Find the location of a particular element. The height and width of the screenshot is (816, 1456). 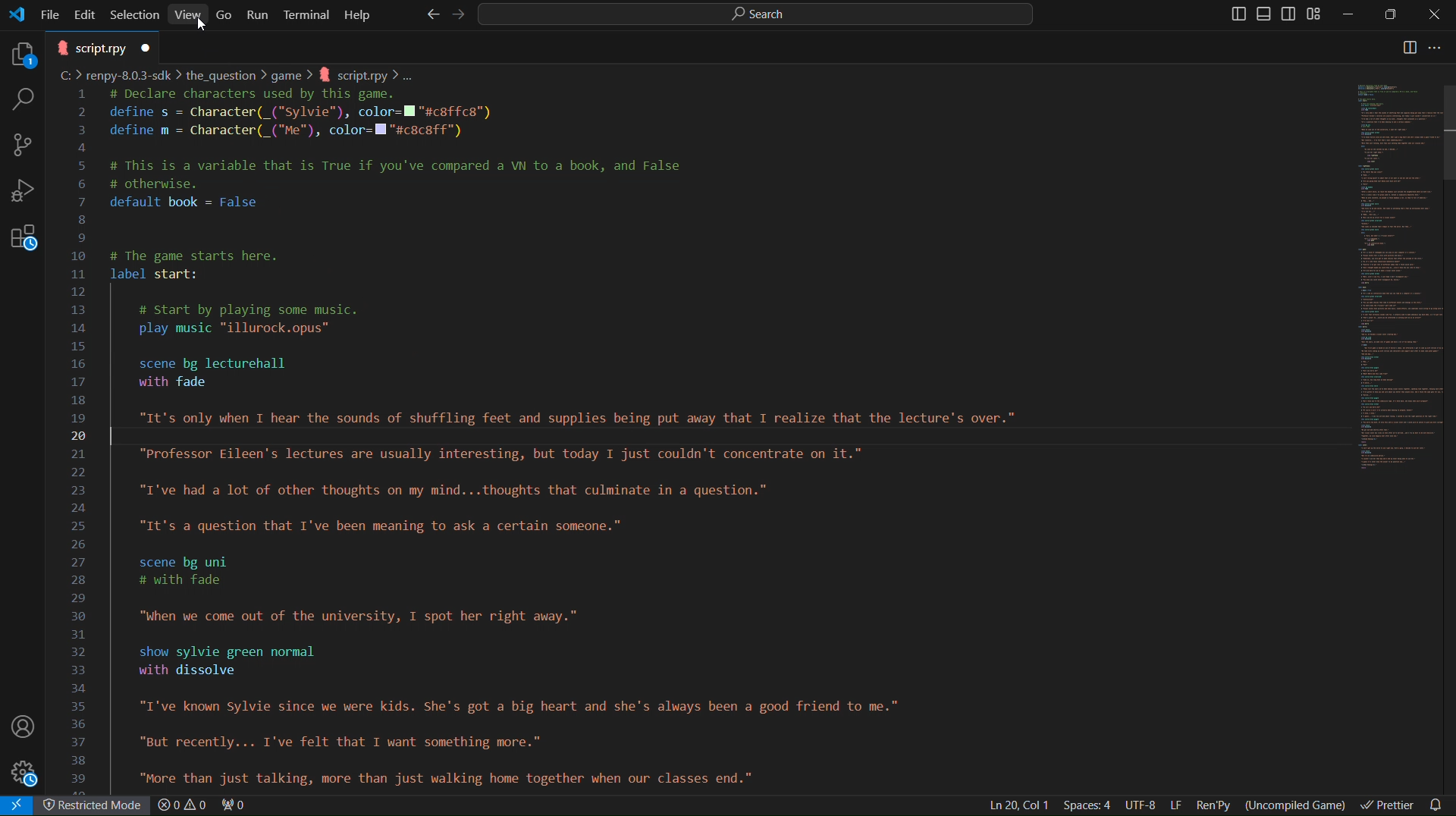

Terminal is located at coordinates (307, 14).